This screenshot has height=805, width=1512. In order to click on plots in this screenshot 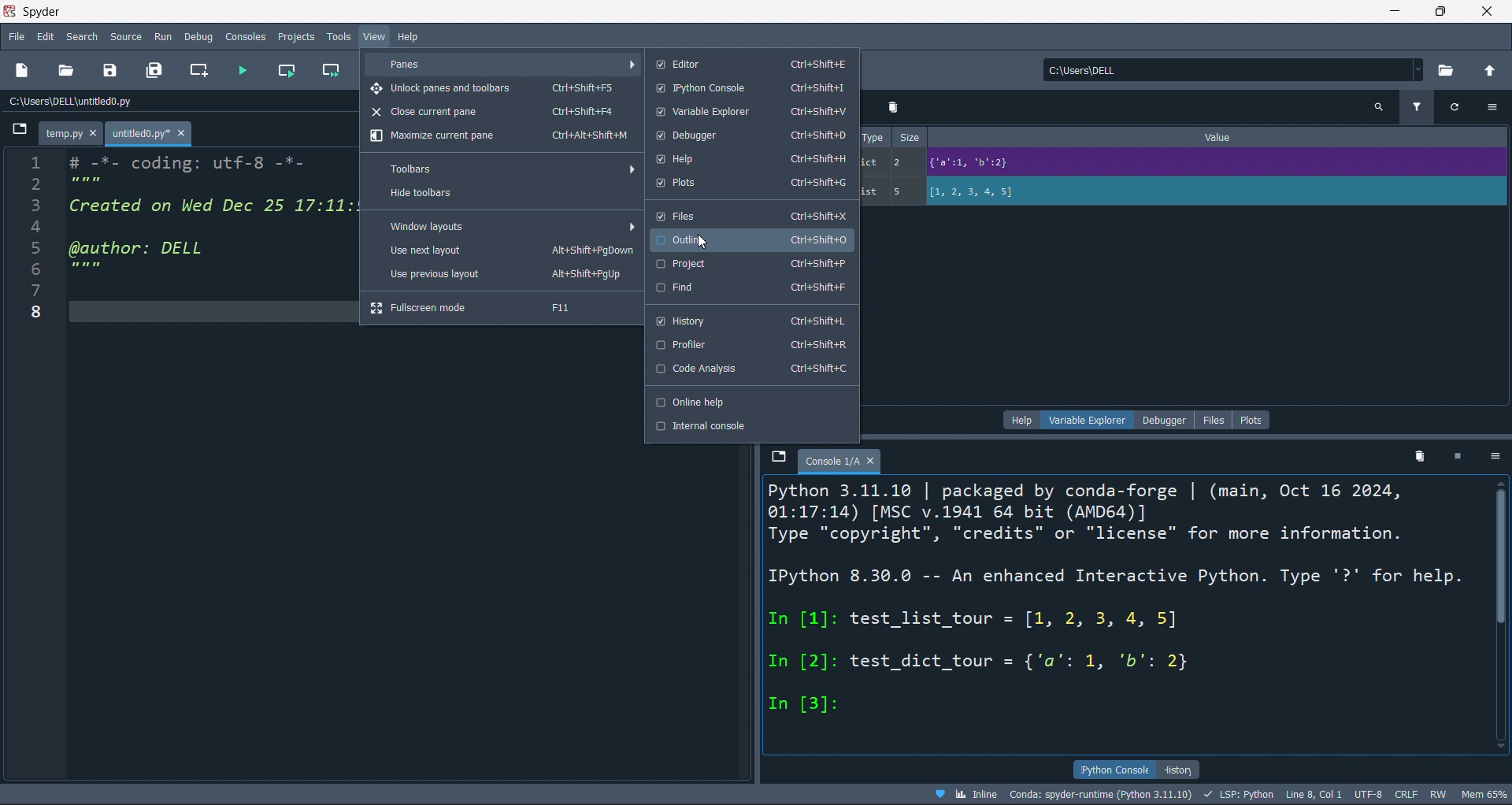, I will do `click(1251, 419)`.